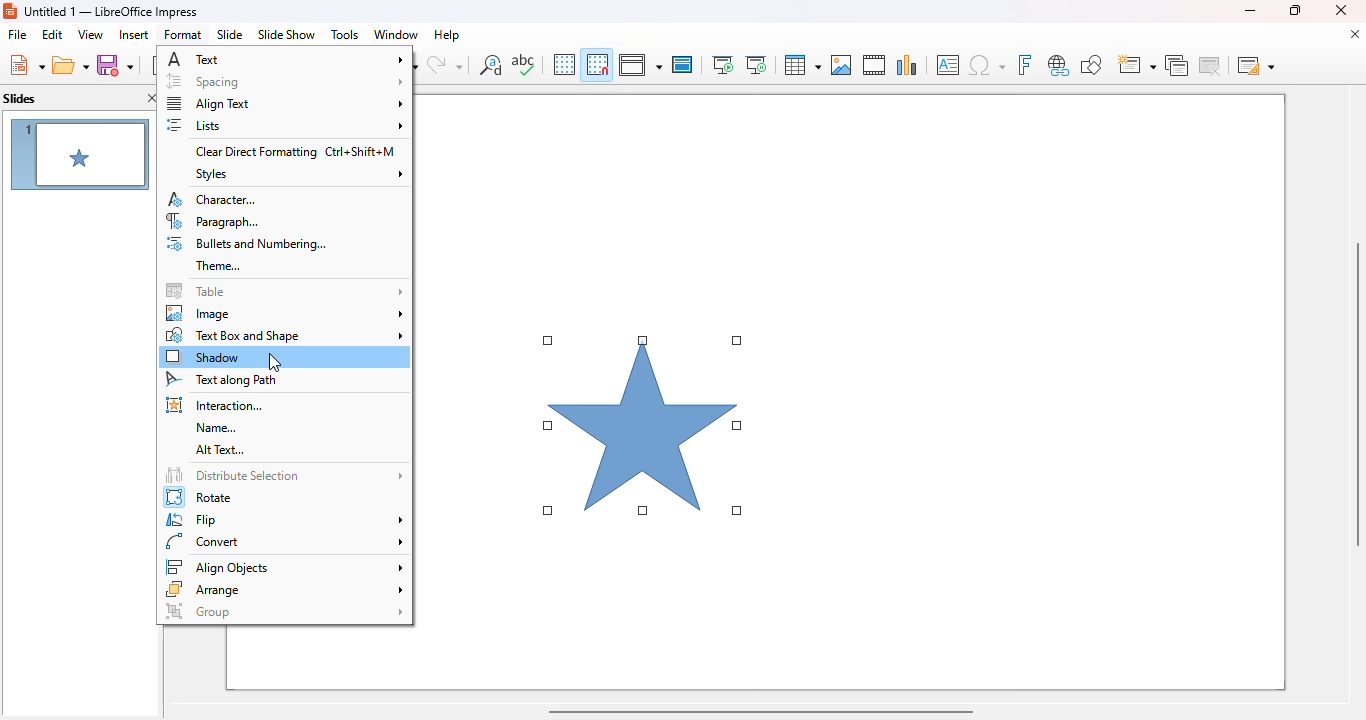 Image resolution: width=1366 pixels, height=720 pixels. Describe the element at coordinates (682, 64) in the screenshot. I see `master slide` at that location.